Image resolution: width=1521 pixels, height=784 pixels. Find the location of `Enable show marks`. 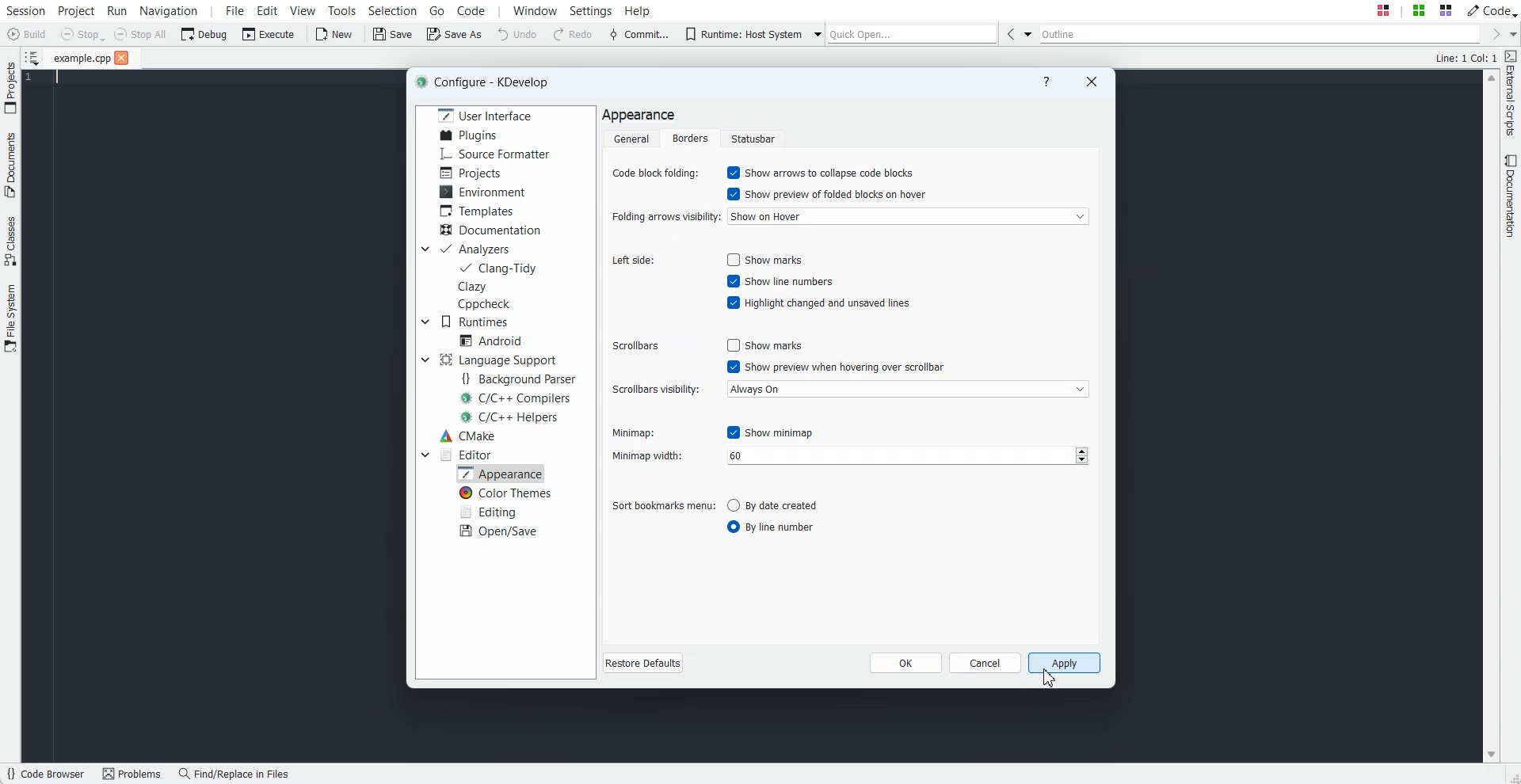

Enable show marks is located at coordinates (769, 260).